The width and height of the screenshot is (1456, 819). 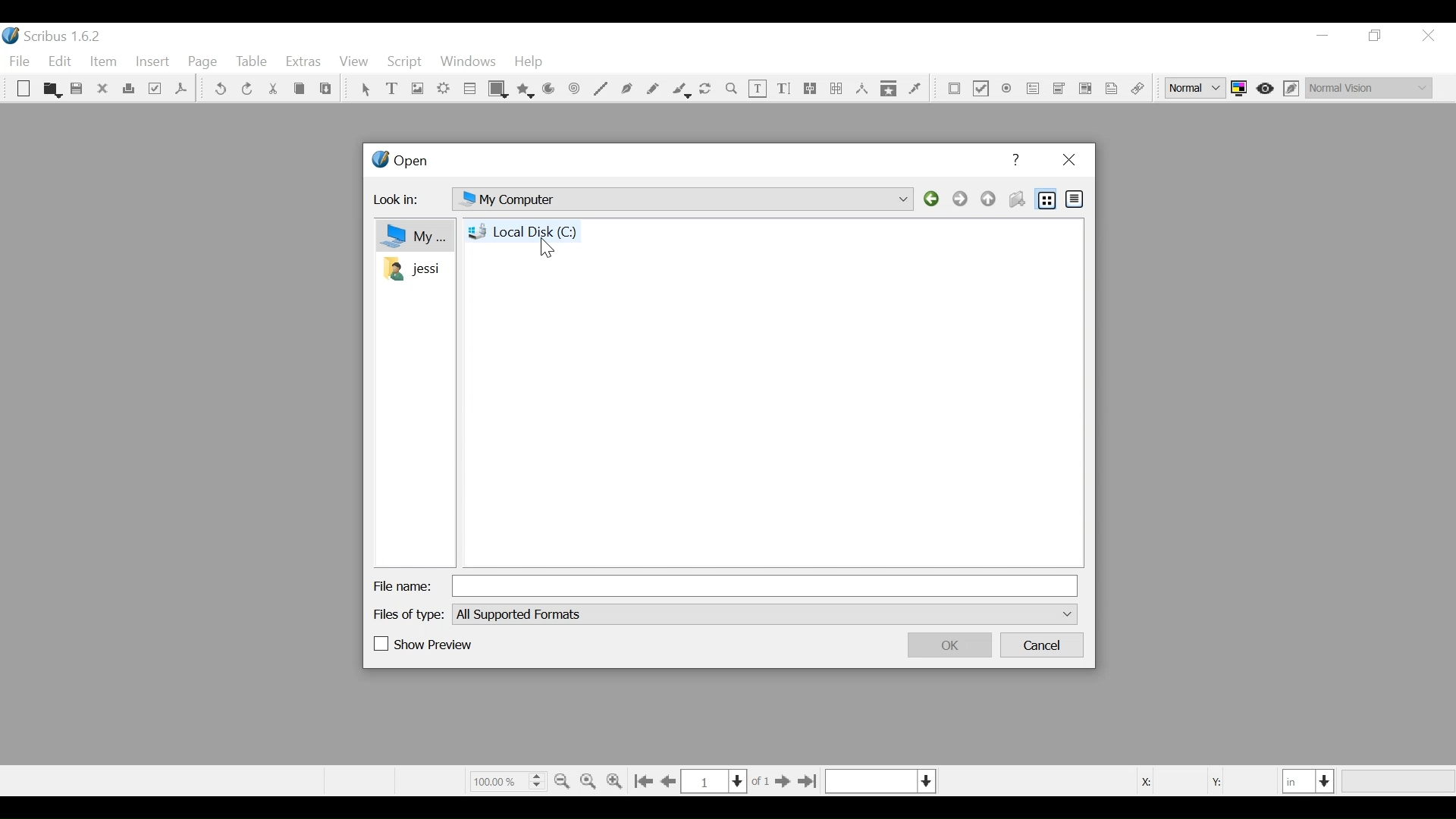 What do you see at coordinates (1293, 88) in the screenshot?
I see `Edit in Preview mode` at bounding box center [1293, 88].